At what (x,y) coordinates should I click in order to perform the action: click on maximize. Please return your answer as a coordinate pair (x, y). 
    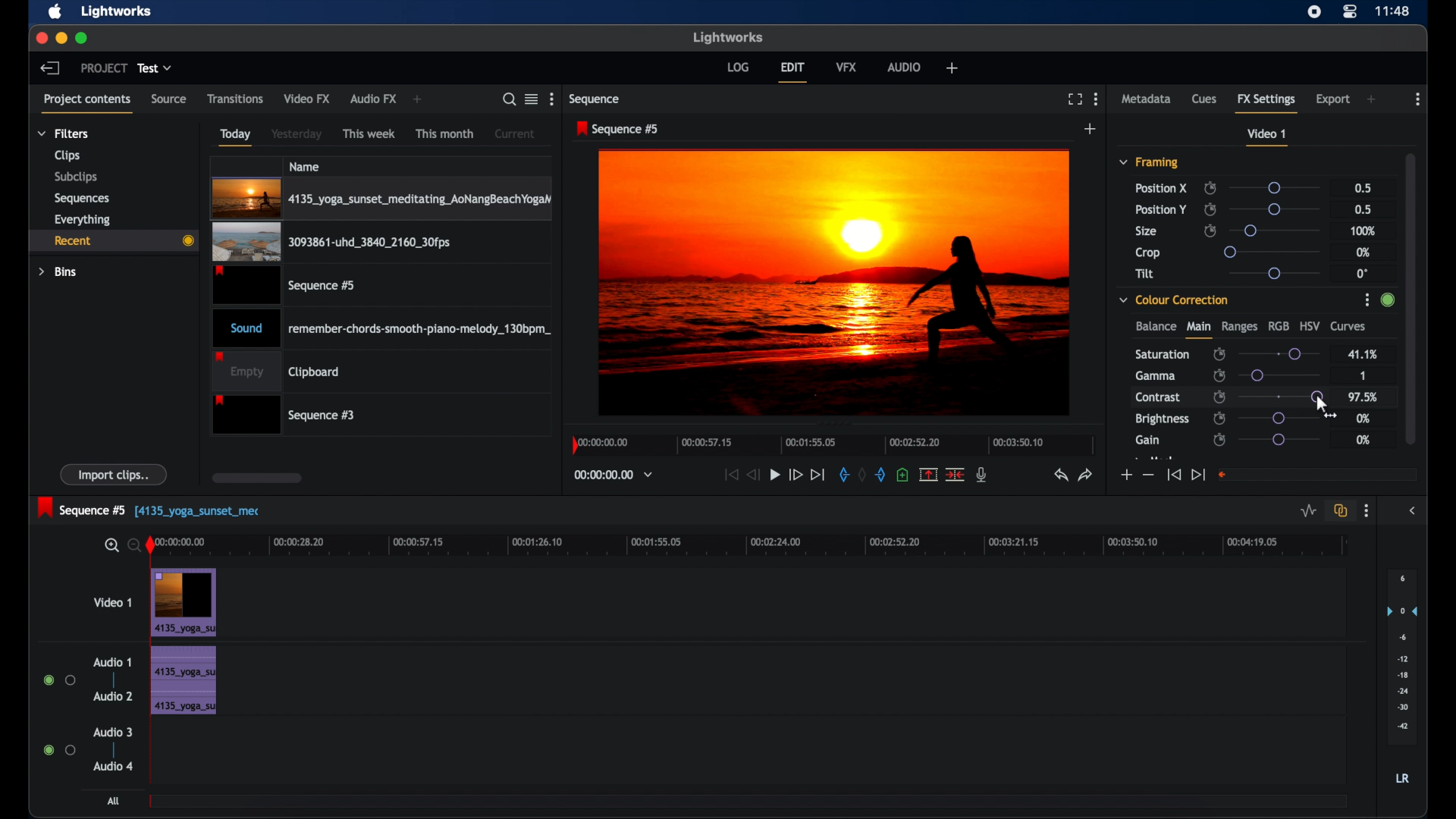
    Looking at the image, I should click on (82, 38).